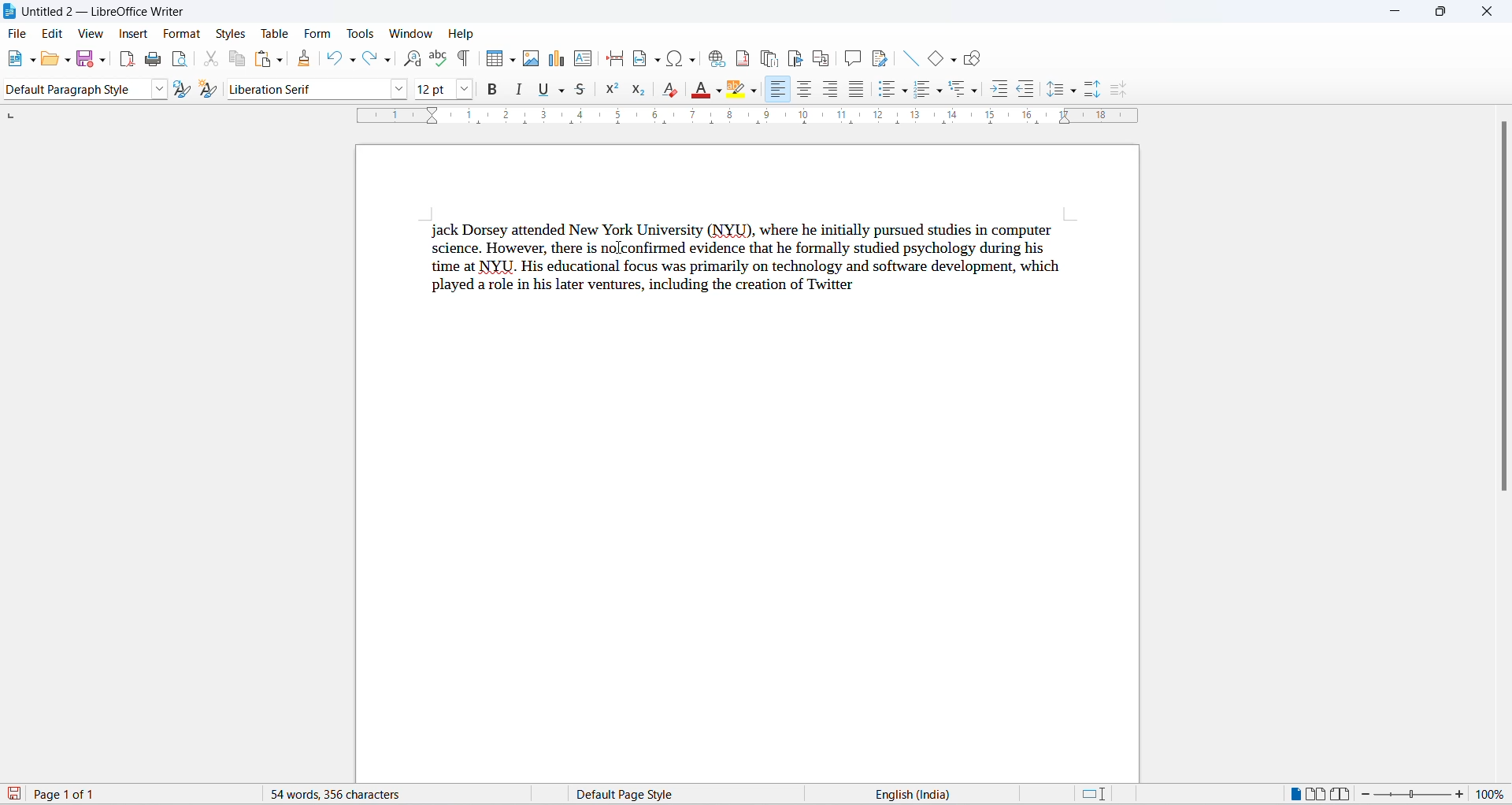 The image size is (1512, 805). What do you see at coordinates (69, 60) in the screenshot?
I see `open options` at bounding box center [69, 60].